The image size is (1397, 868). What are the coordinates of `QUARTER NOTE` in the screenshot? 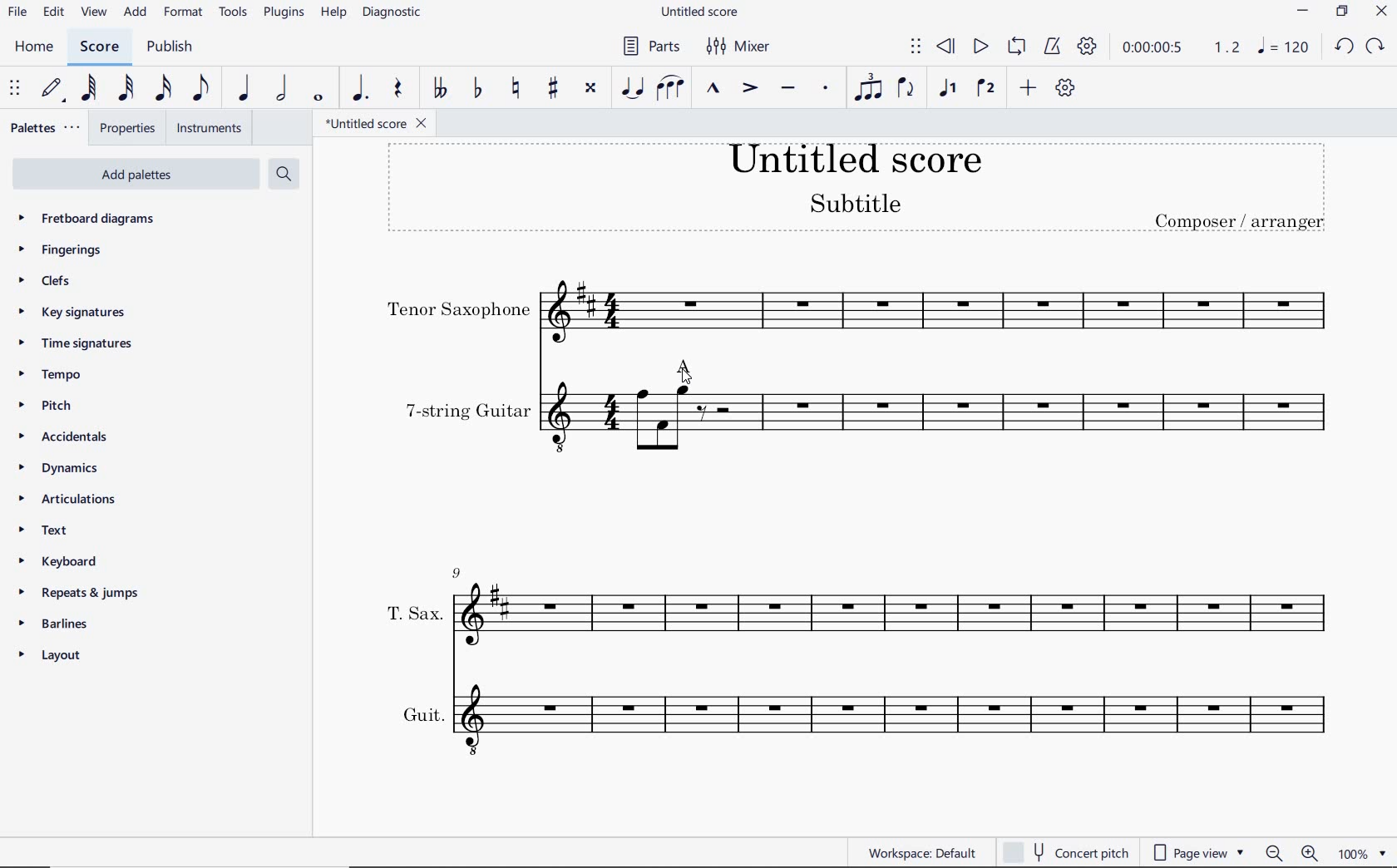 It's located at (241, 89).